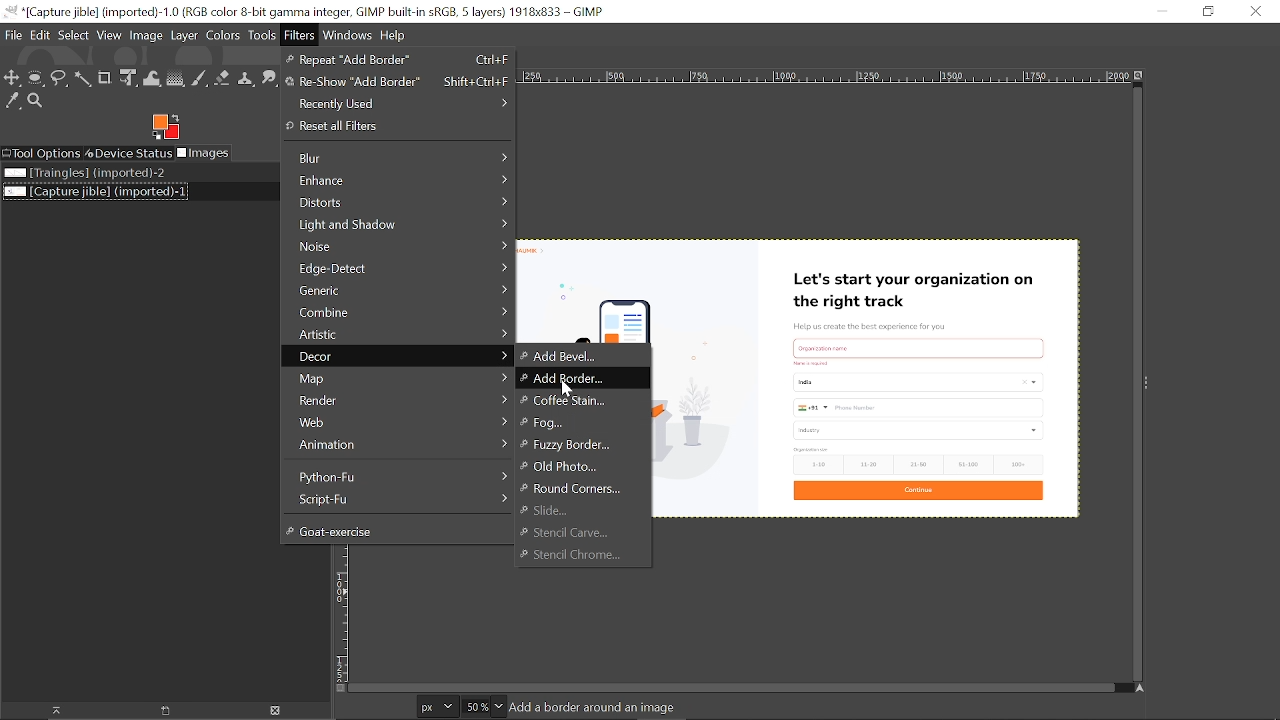 This screenshot has height=720, width=1280. Describe the element at coordinates (176, 78) in the screenshot. I see `Gradient tool` at that location.